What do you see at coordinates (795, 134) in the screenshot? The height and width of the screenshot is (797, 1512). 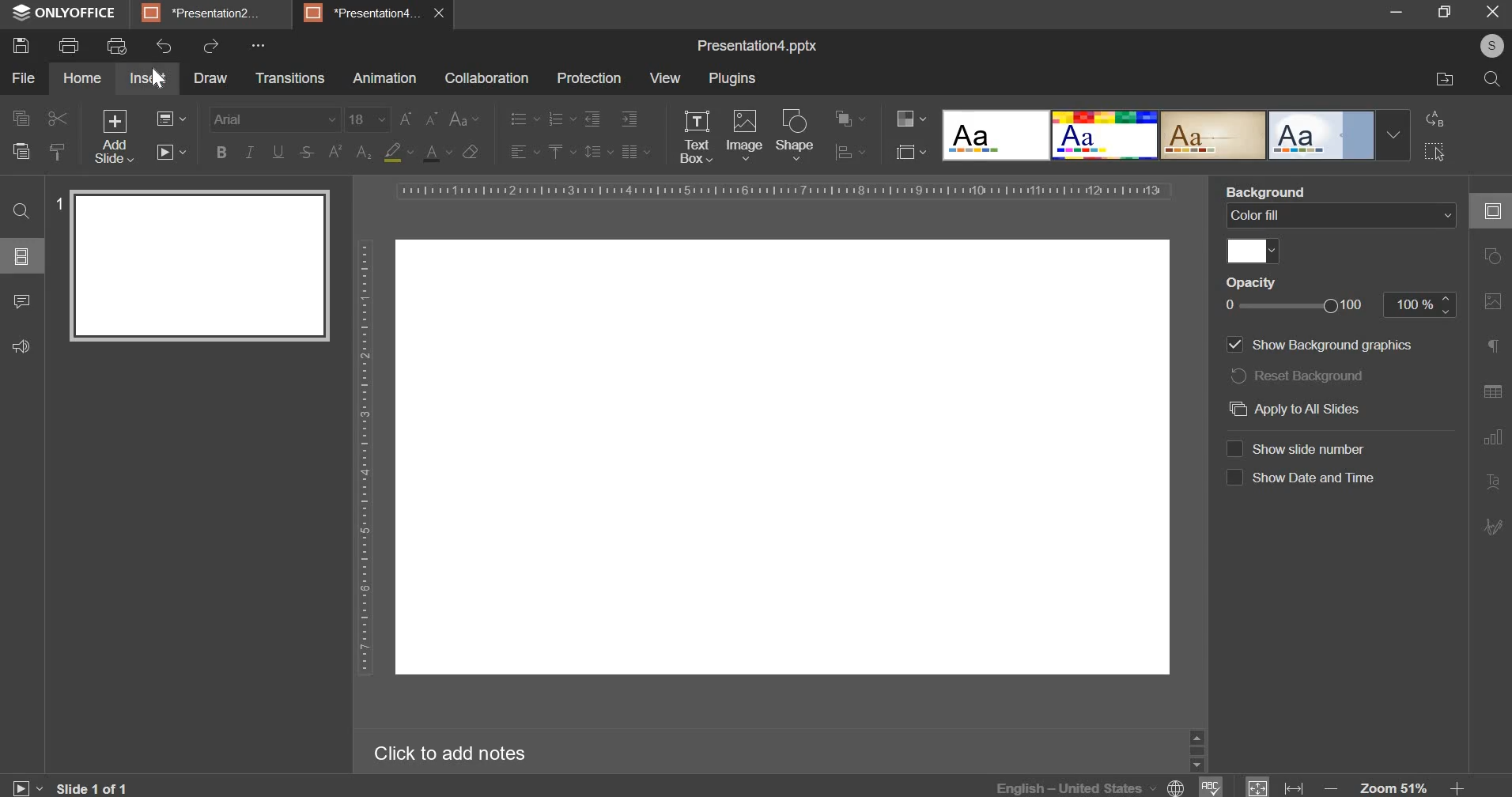 I see `shape` at bounding box center [795, 134].